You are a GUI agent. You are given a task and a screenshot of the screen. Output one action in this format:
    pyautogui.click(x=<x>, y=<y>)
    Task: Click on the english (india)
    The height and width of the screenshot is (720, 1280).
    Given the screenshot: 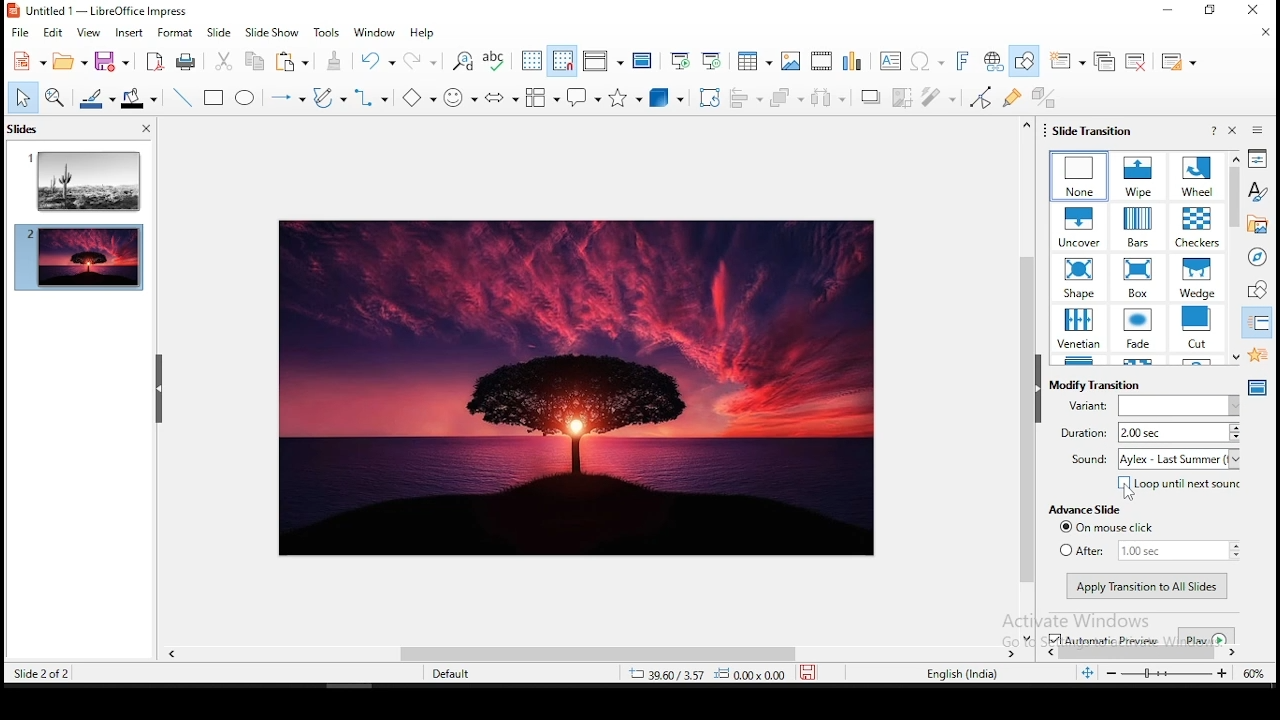 What is the action you would take?
    pyautogui.click(x=961, y=672)
    